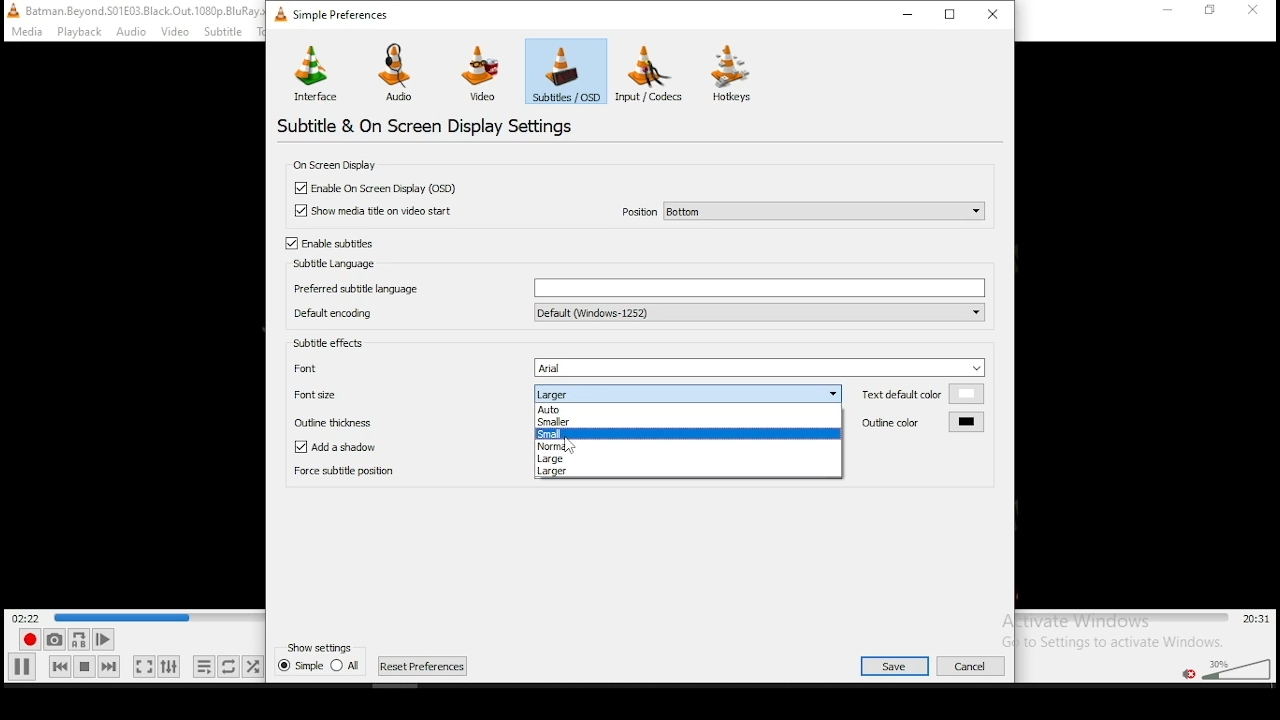 Image resolution: width=1280 pixels, height=720 pixels. What do you see at coordinates (1167, 14) in the screenshot?
I see `` at bounding box center [1167, 14].